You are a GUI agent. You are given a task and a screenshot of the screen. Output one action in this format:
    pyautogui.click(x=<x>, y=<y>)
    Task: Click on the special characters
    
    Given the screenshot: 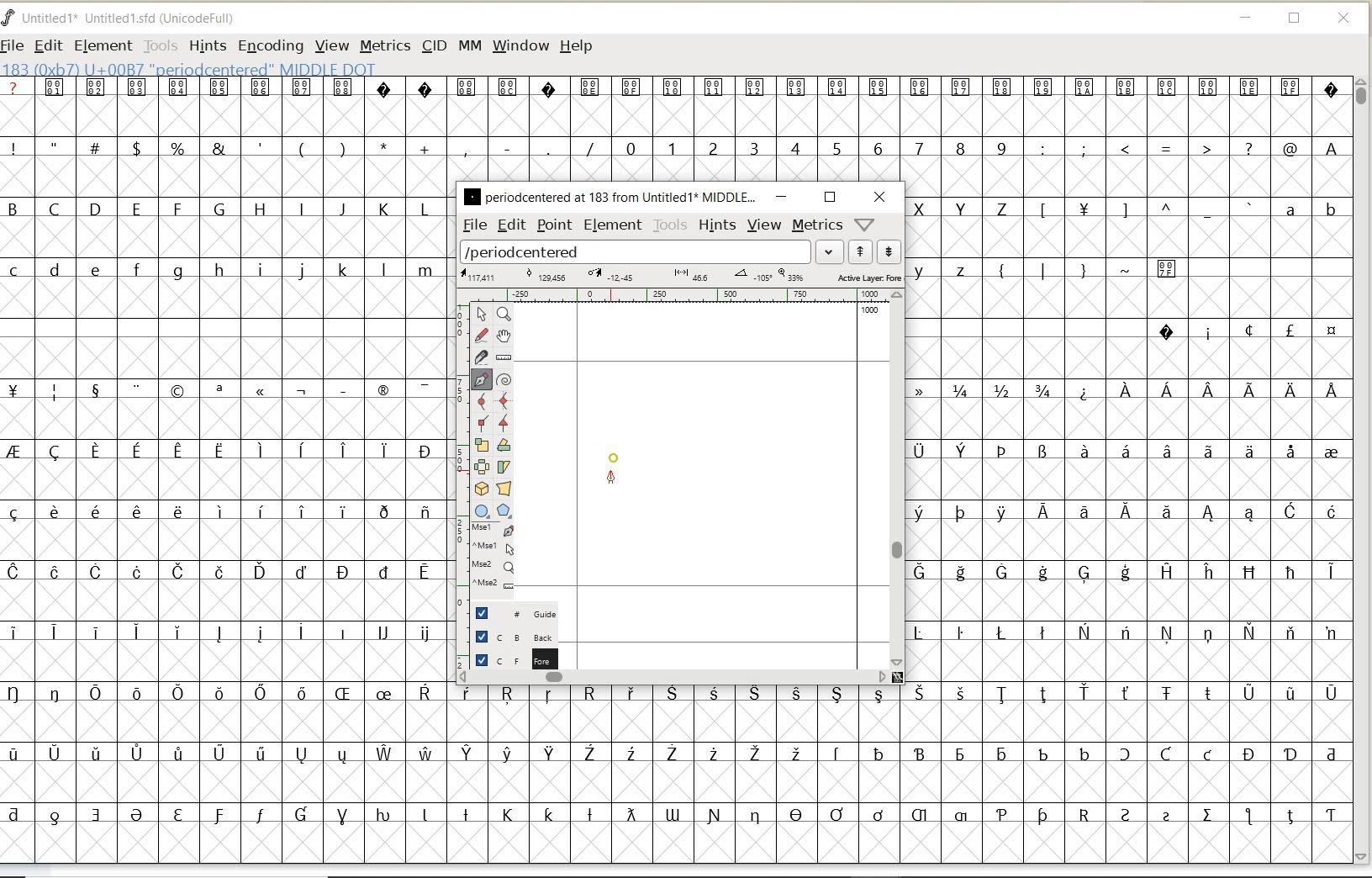 What is the action you would take?
    pyautogui.click(x=1193, y=149)
    